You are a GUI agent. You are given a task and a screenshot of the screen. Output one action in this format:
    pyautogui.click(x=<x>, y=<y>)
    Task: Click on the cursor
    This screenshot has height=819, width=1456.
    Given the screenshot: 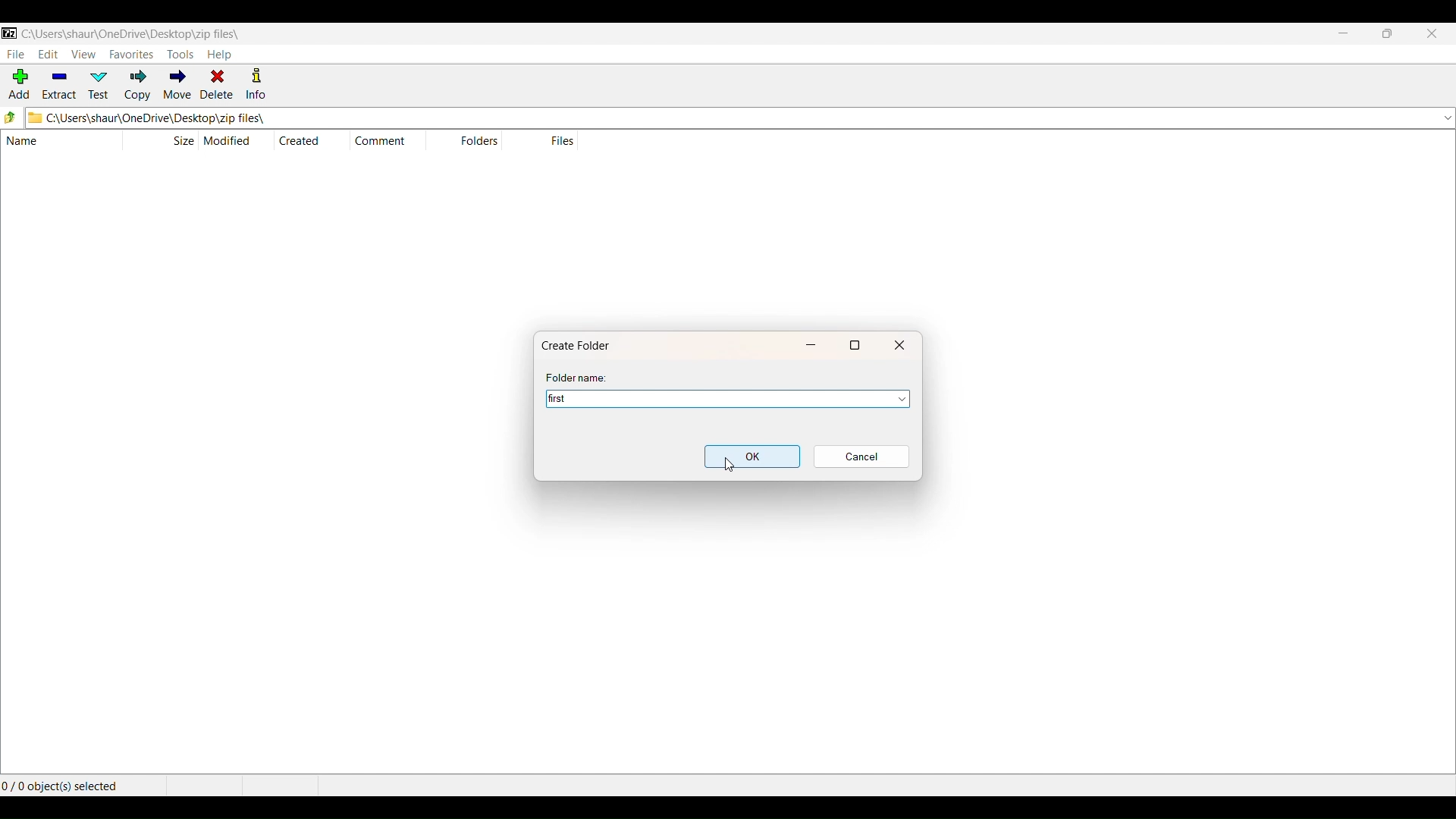 What is the action you would take?
    pyautogui.click(x=729, y=465)
    